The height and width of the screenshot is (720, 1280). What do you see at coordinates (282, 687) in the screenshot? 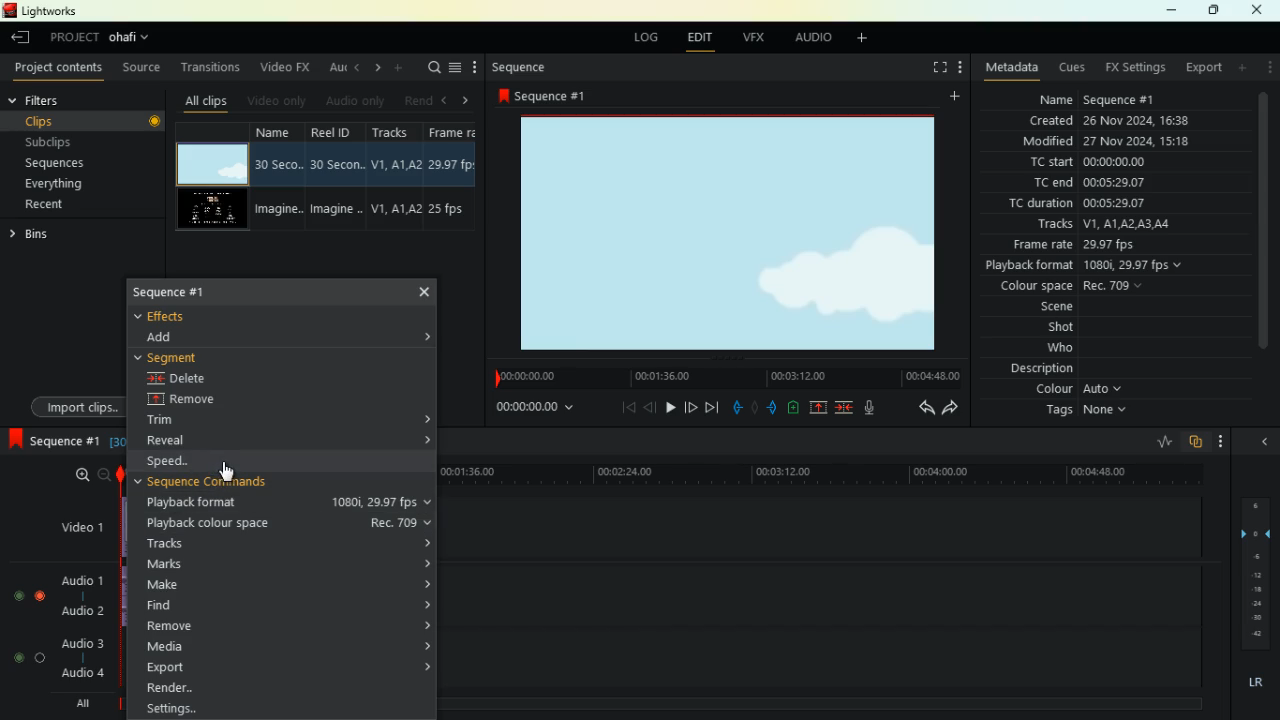
I see `render` at bounding box center [282, 687].